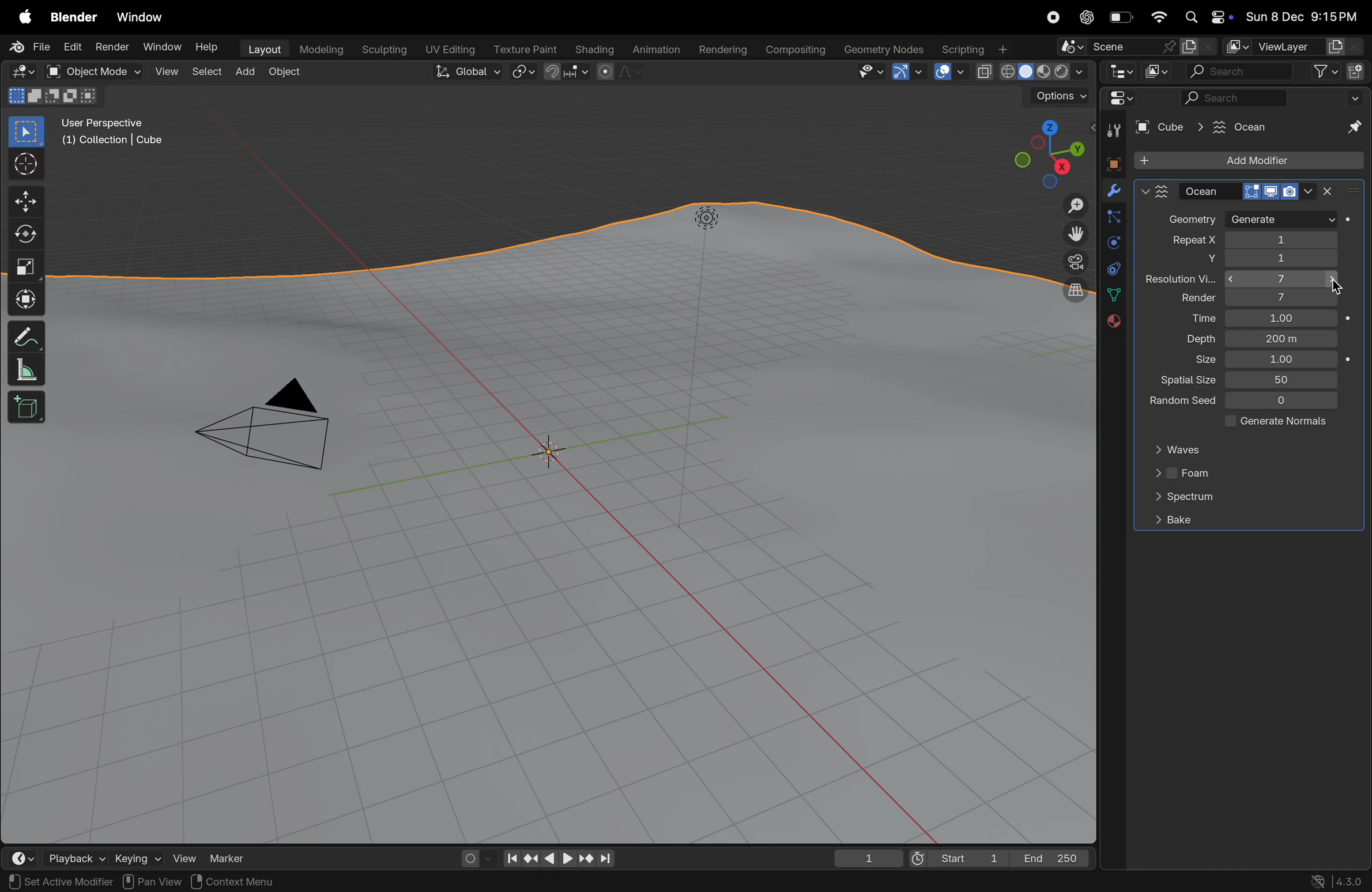 The image size is (1372, 892). I want to click on uv editing, so click(452, 48).